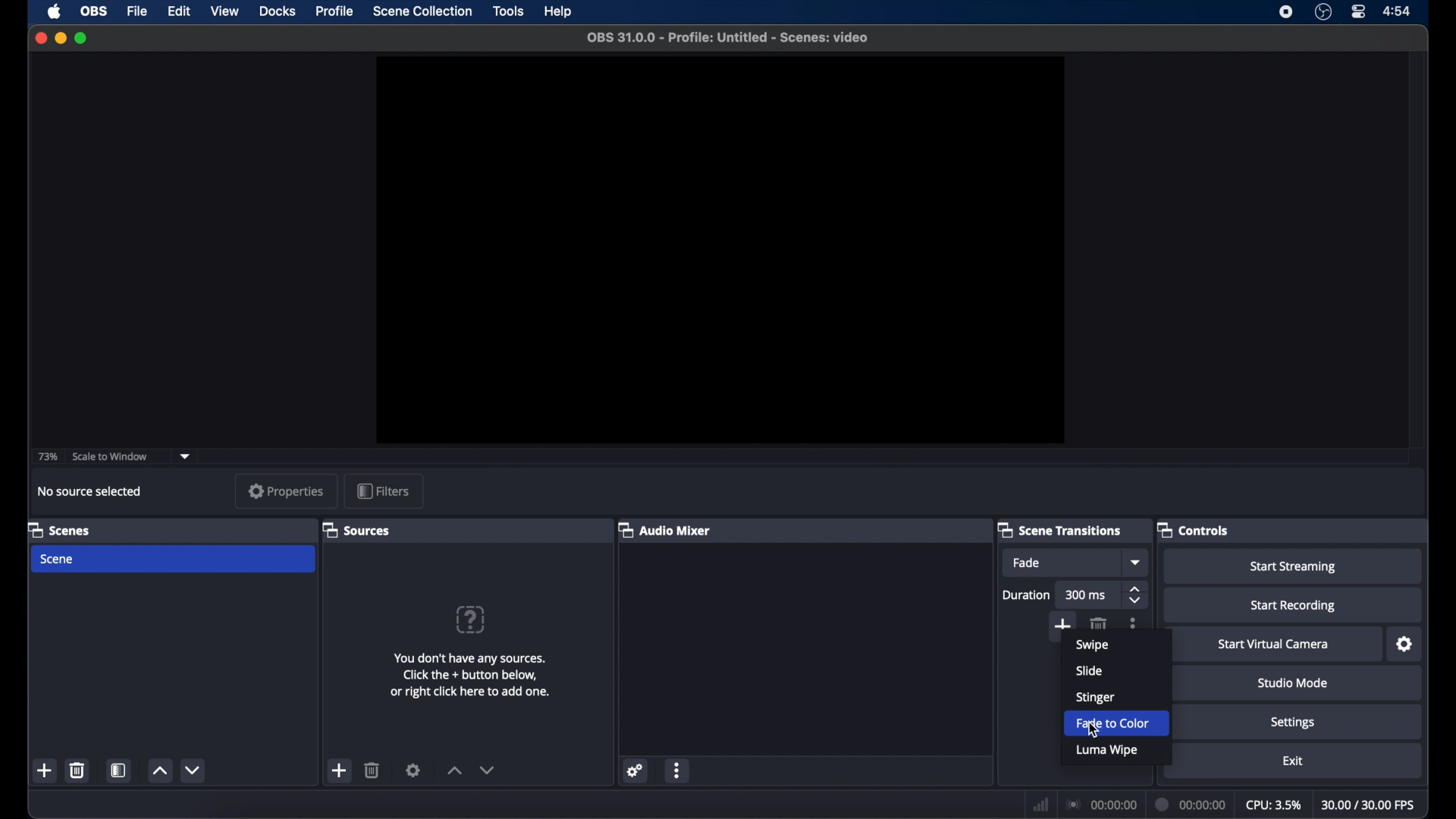 This screenshot has width=1456, height=819. What do you see at coordinates (1128, 723) in the screenshot?
I see `fade to color` at bounding box center [1128, 723].